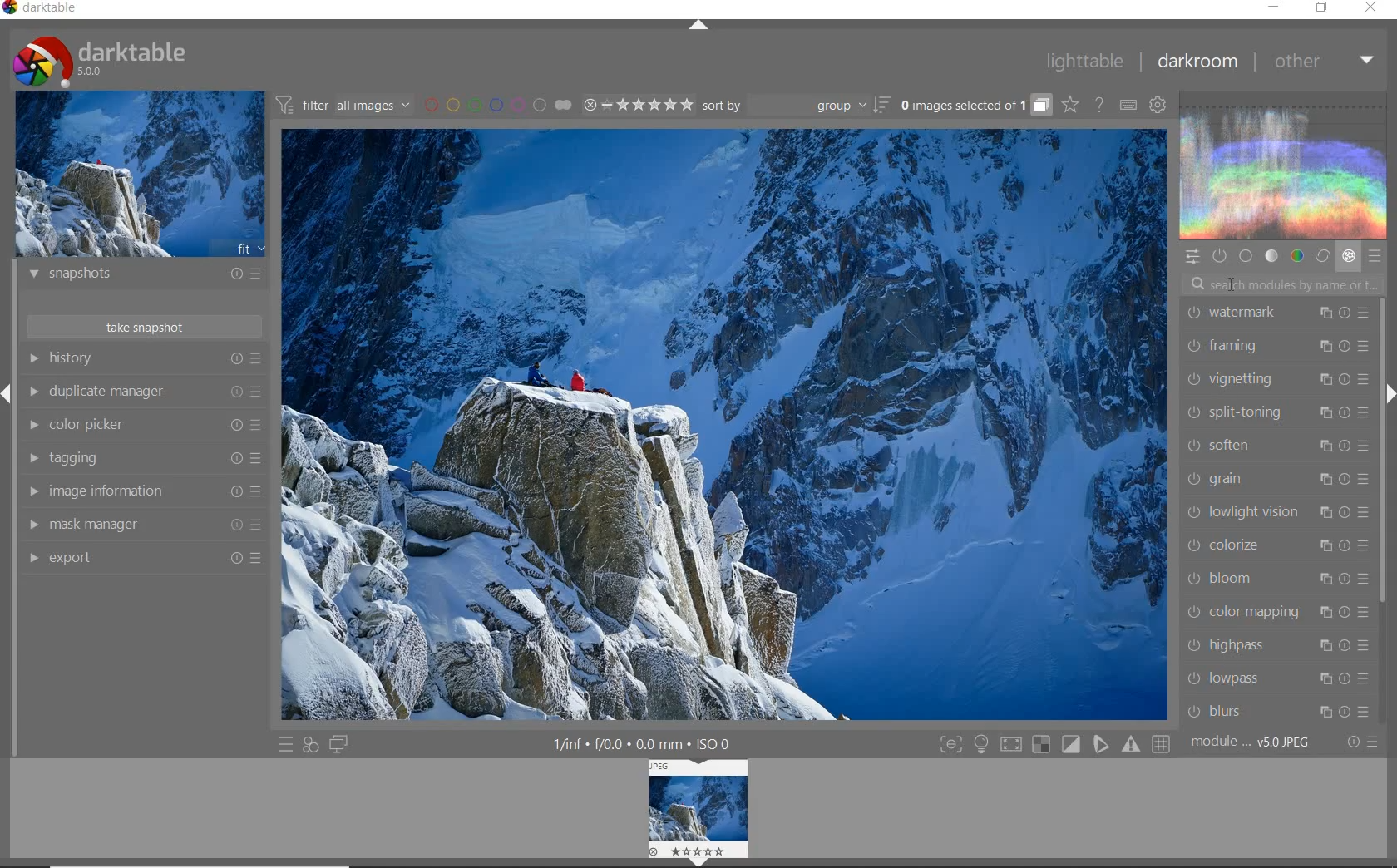 The image size is (1397, 868). Describe the element at coordinates (639, 105) in the screenshot. I see `range ratings for selected images` at that location.